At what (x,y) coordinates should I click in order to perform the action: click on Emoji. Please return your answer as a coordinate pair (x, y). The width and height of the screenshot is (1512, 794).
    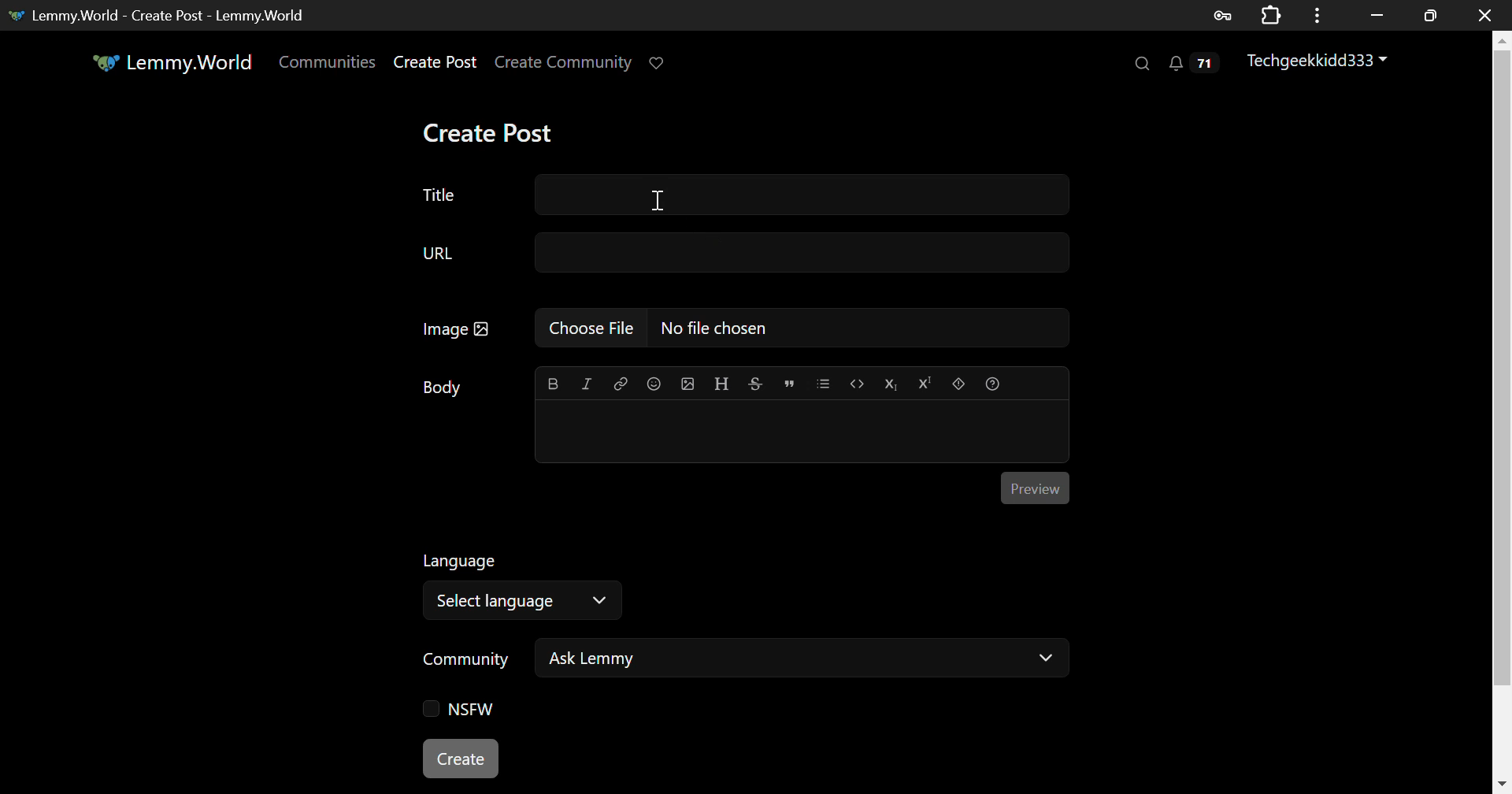
    Looking at the image, I should click on (654, 383).